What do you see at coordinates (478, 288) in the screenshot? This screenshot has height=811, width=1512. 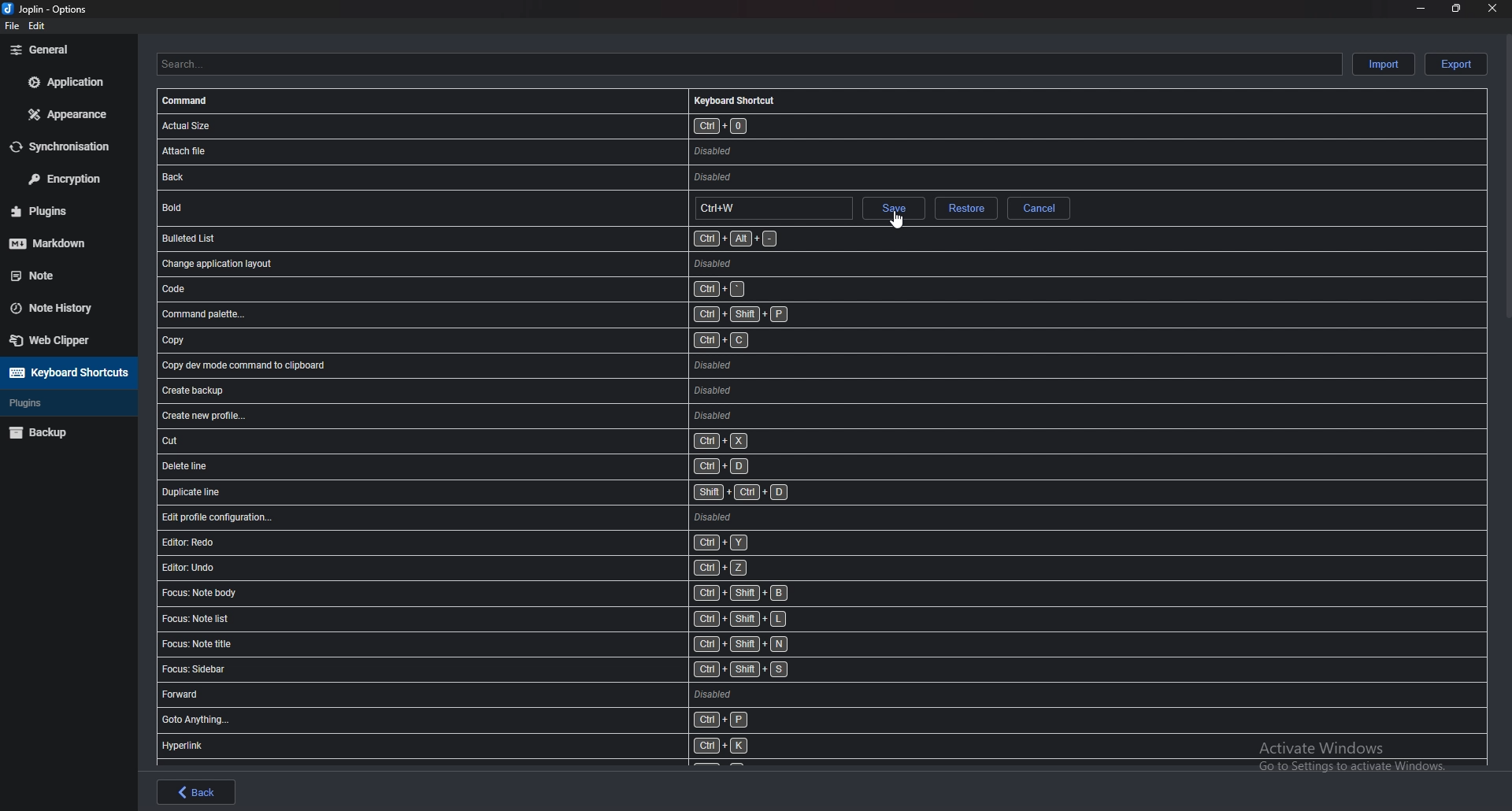 I see `shortcut` at bounding box center [478, 288].